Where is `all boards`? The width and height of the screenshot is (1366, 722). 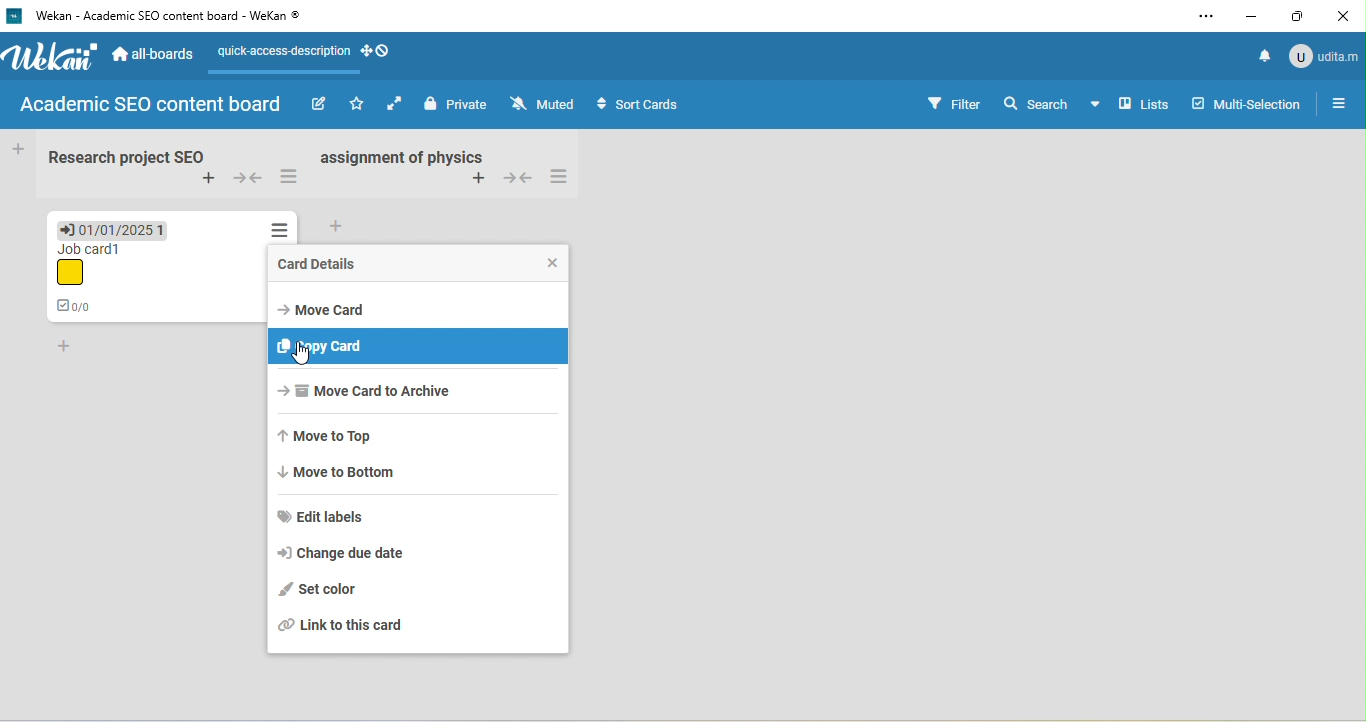
all boards is located at coordinates (155, 57).